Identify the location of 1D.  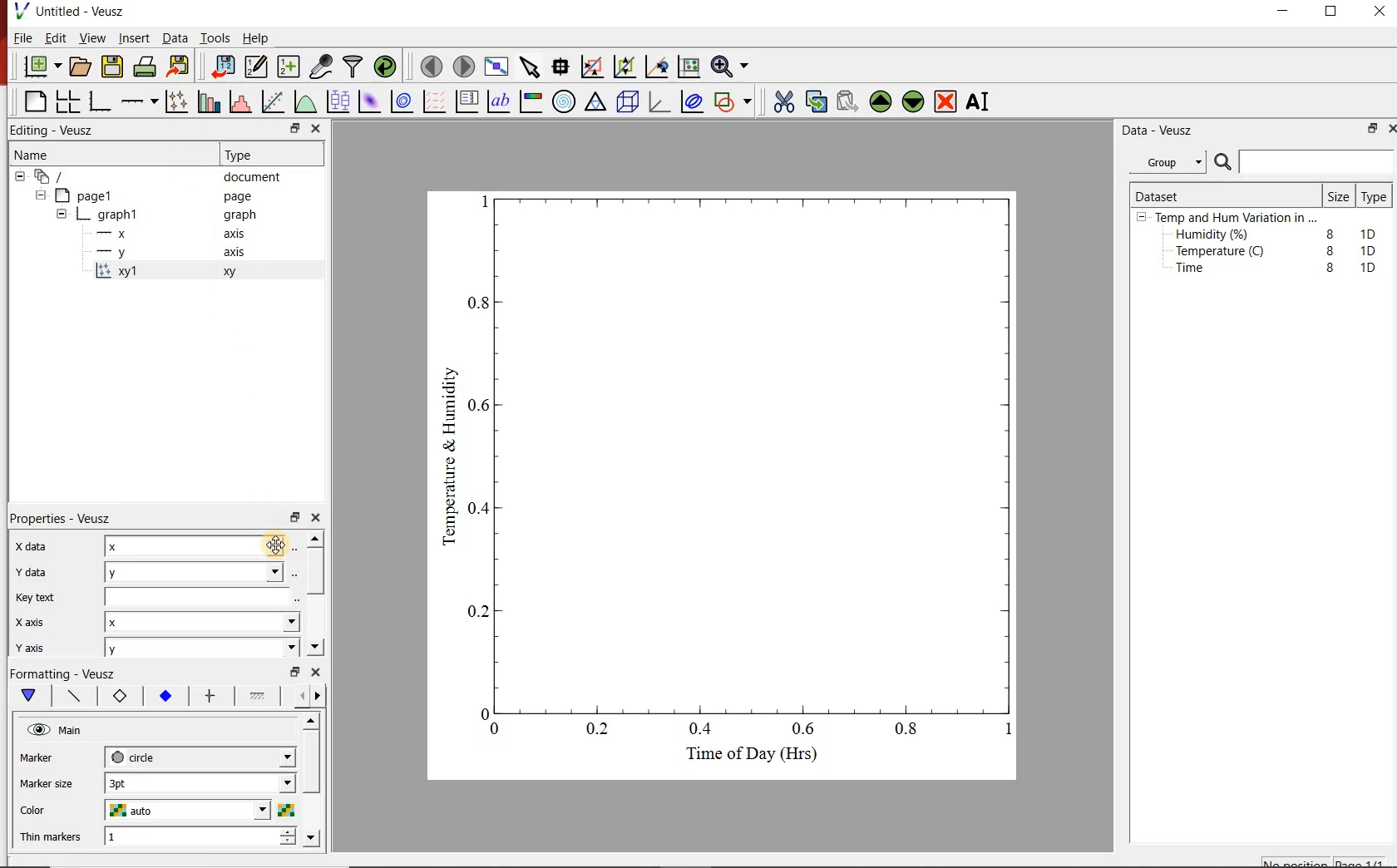
(1373, 250).